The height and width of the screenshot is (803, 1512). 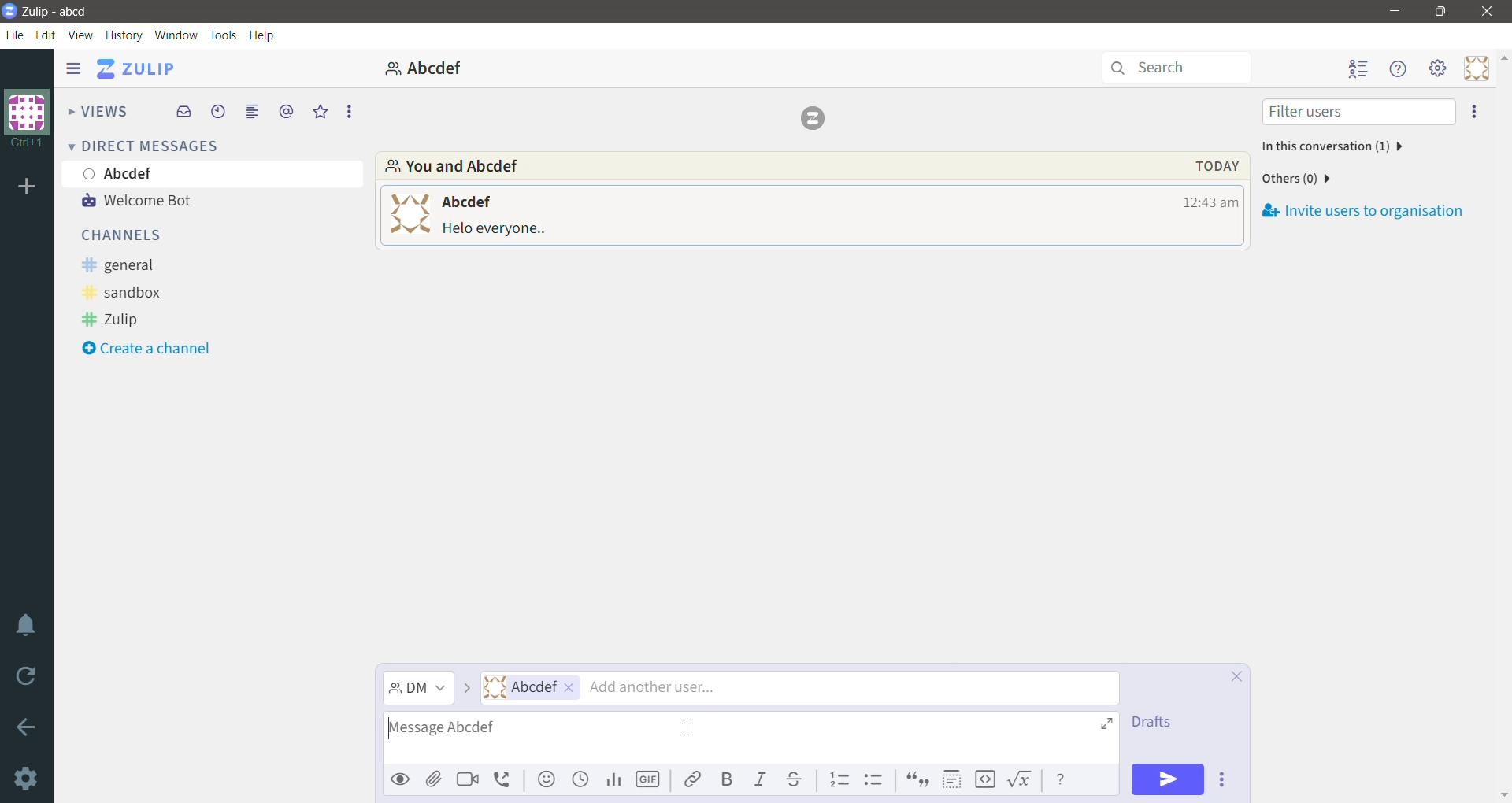 I want to click on Channels, so click(x=128, y=237).